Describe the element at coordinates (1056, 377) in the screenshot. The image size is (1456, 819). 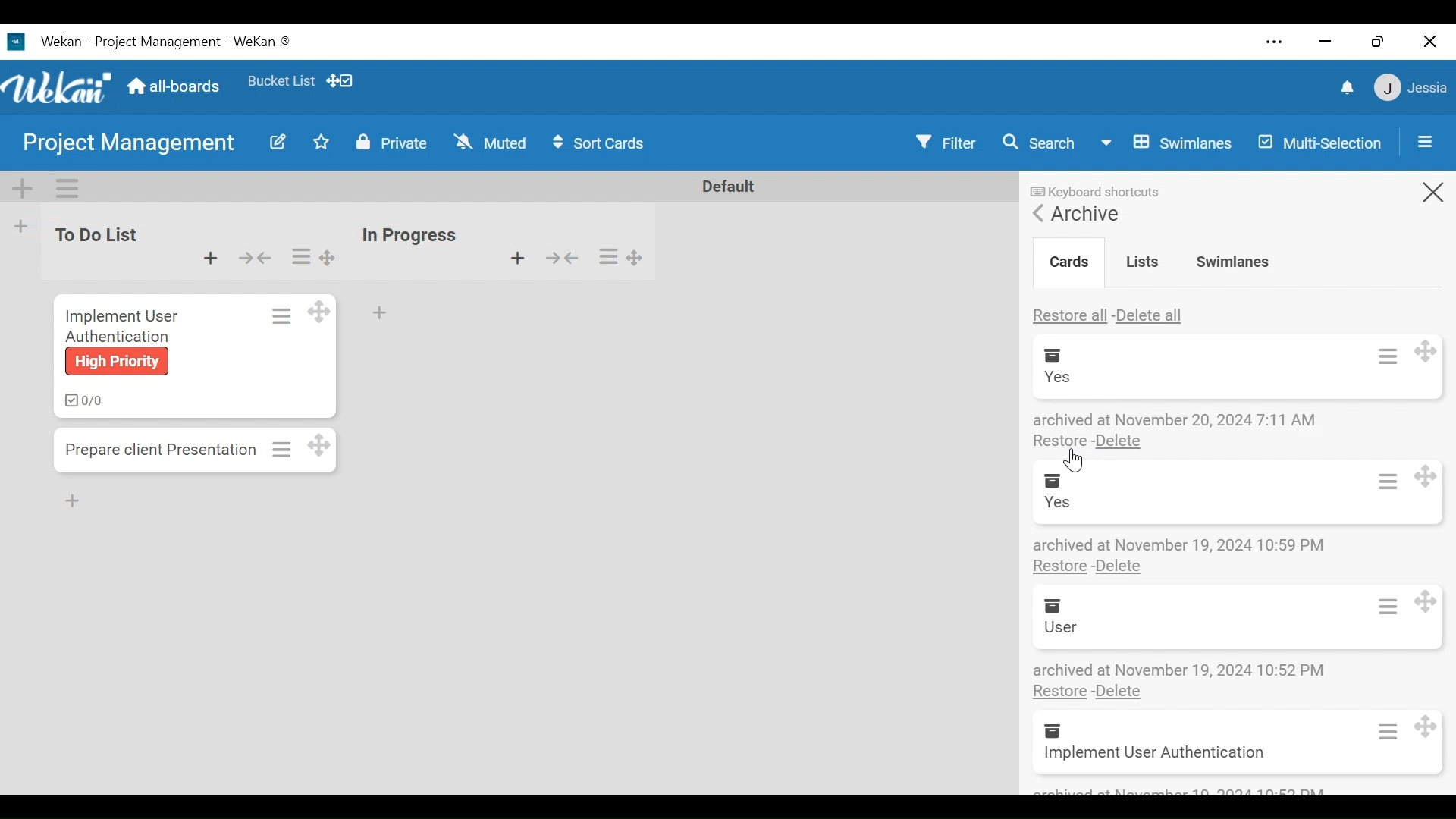
I see `yes` at that location.